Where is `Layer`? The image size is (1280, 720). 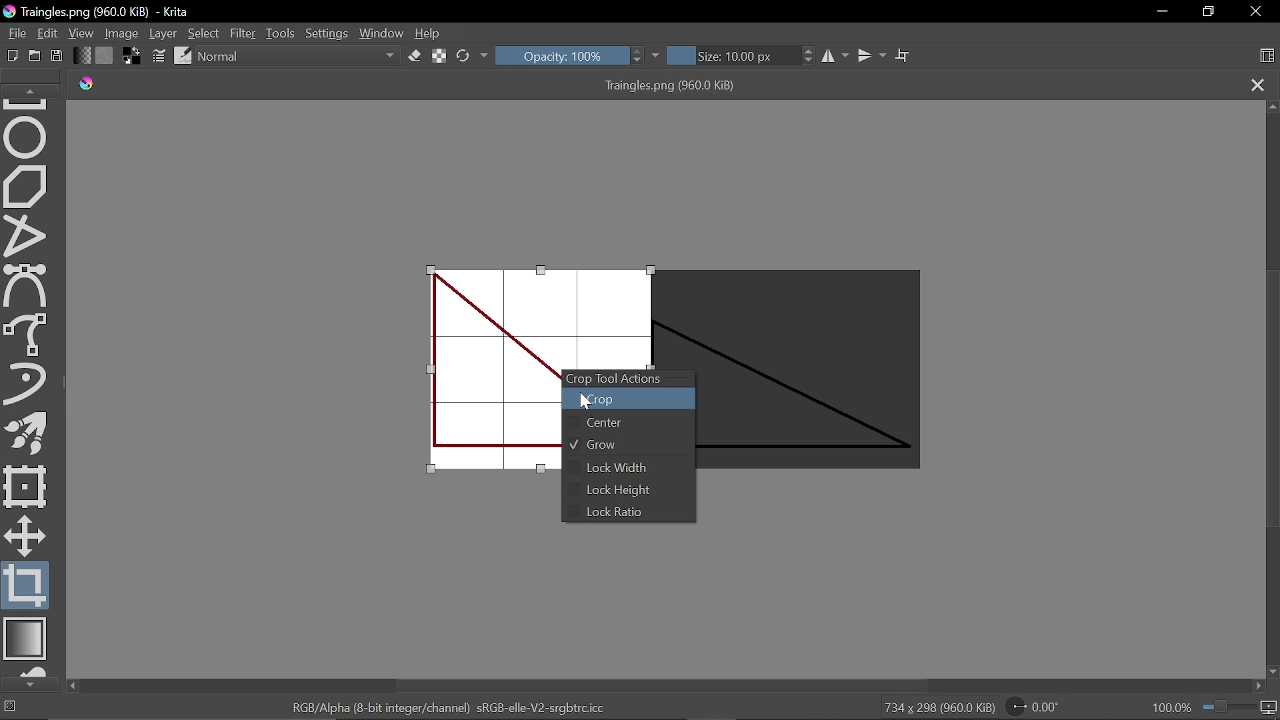 Layer is located at coordinates (164, 33).